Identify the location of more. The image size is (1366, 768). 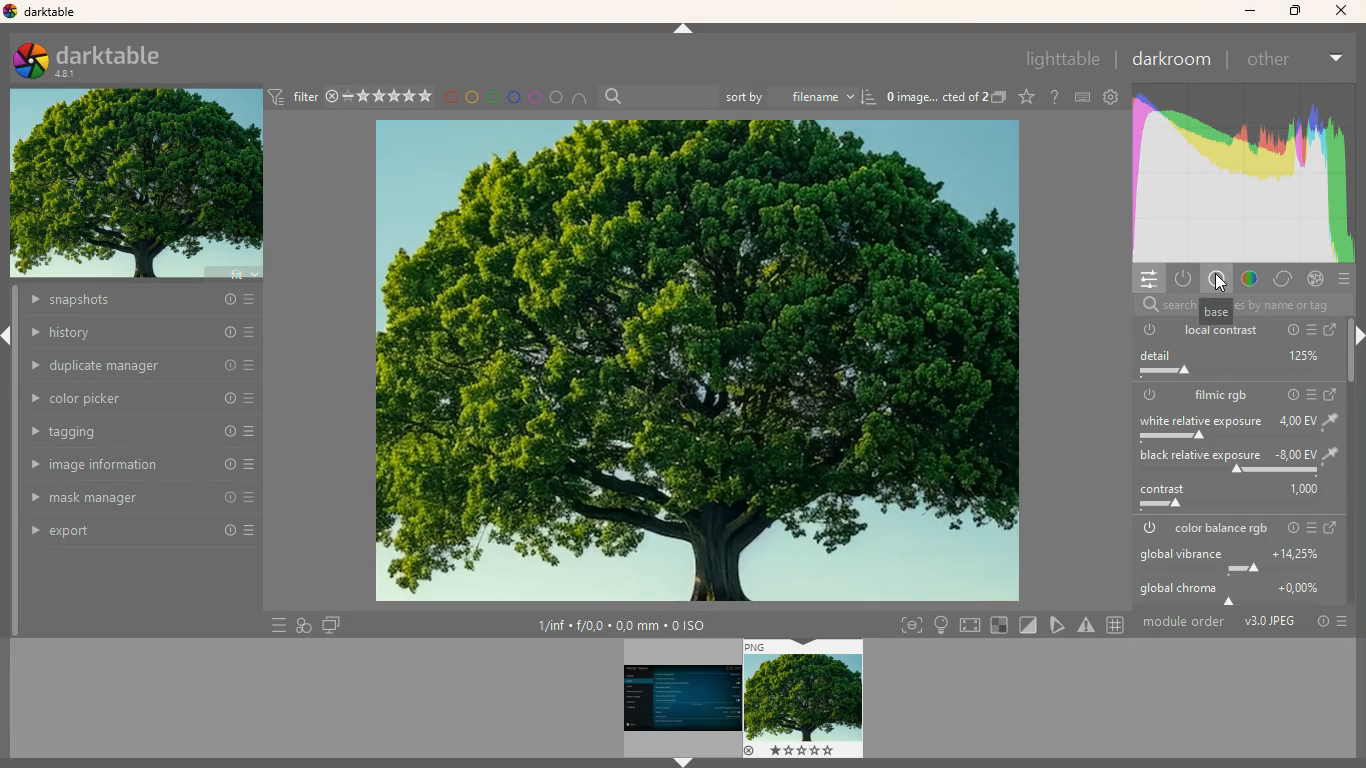
(1341, 281).